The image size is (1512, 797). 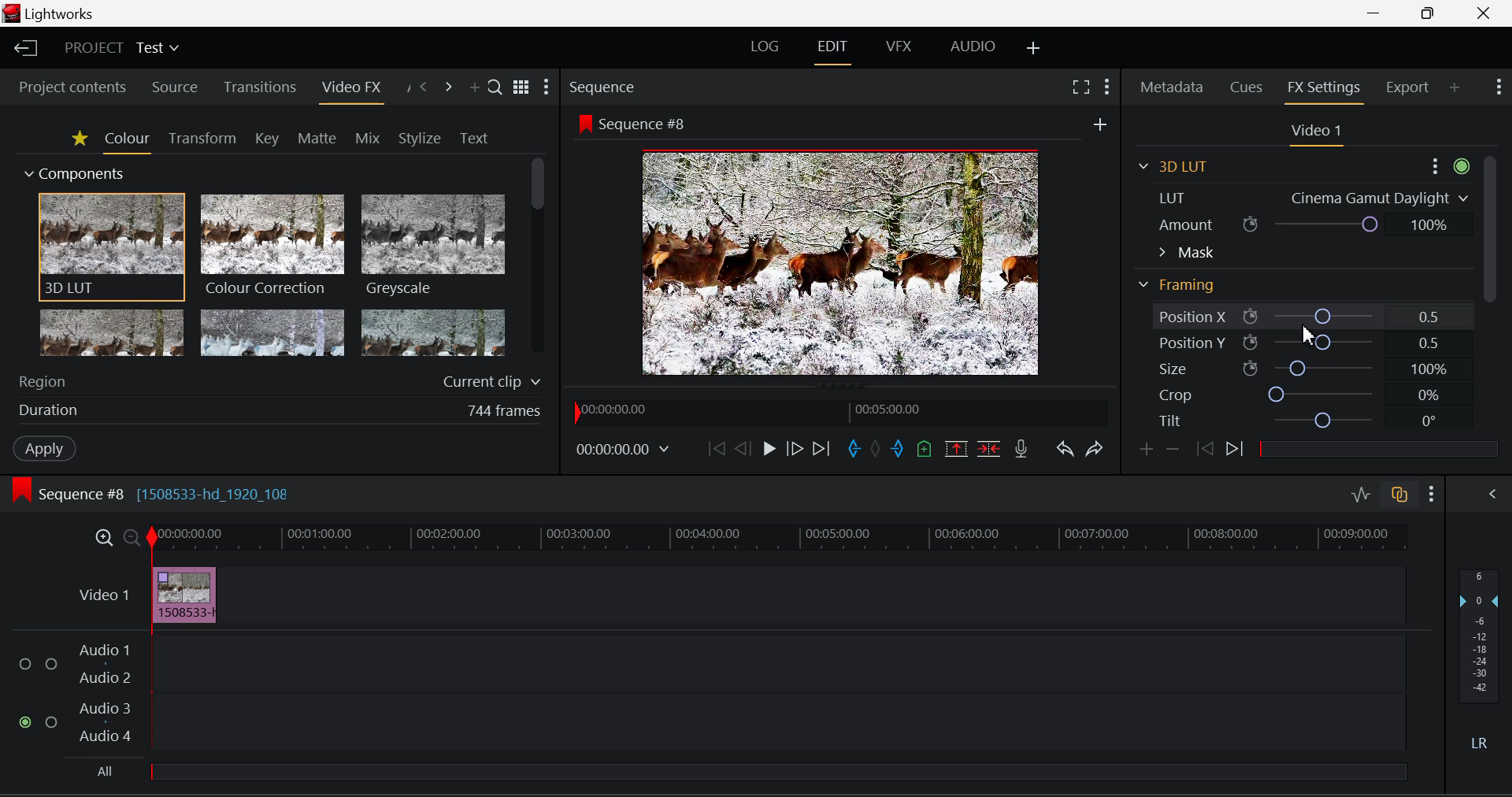 I want to click on Add Panel, so click(x=1455, y=89).